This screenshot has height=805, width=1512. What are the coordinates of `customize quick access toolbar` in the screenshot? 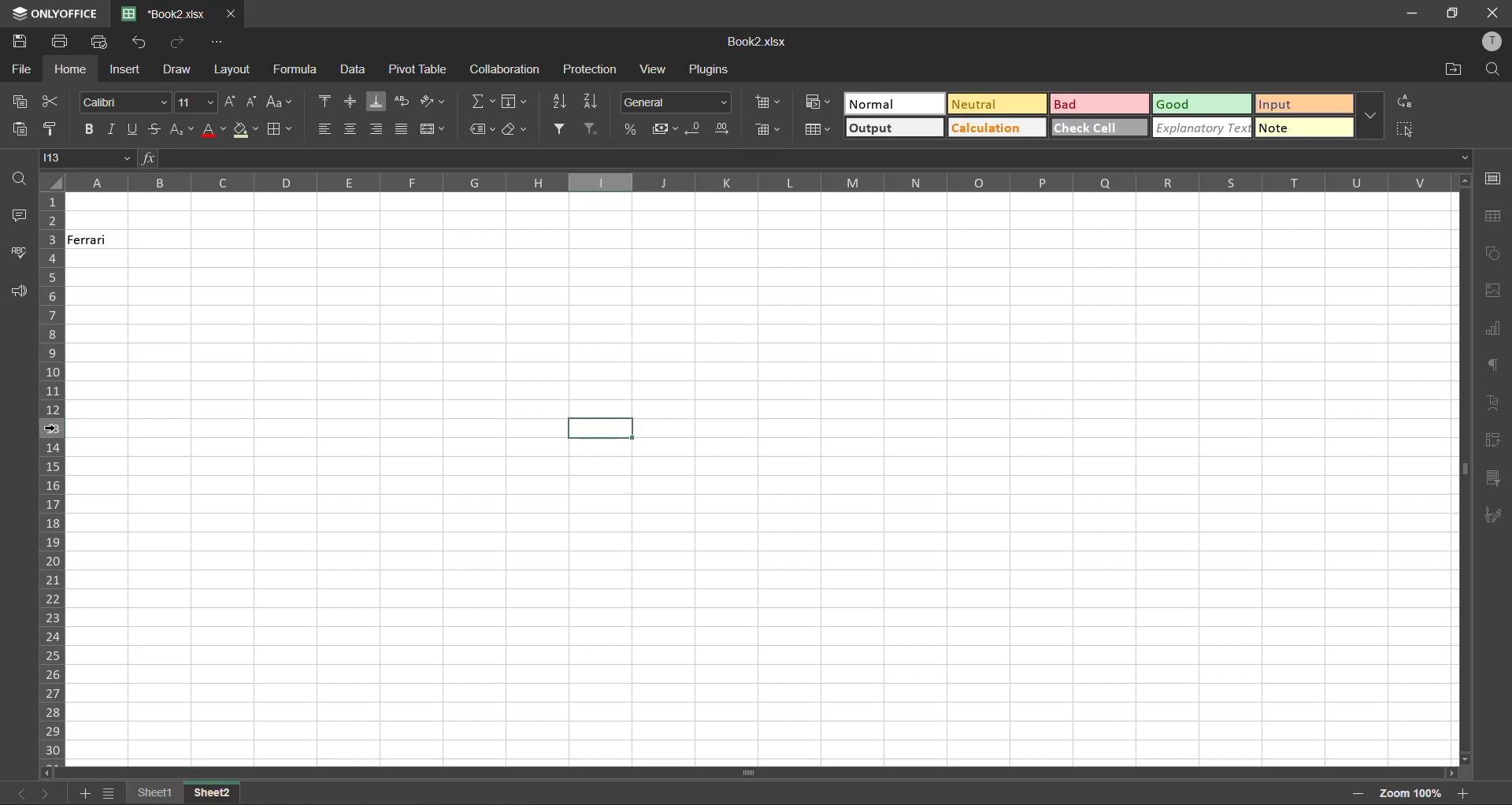 It's located at (215, 41).